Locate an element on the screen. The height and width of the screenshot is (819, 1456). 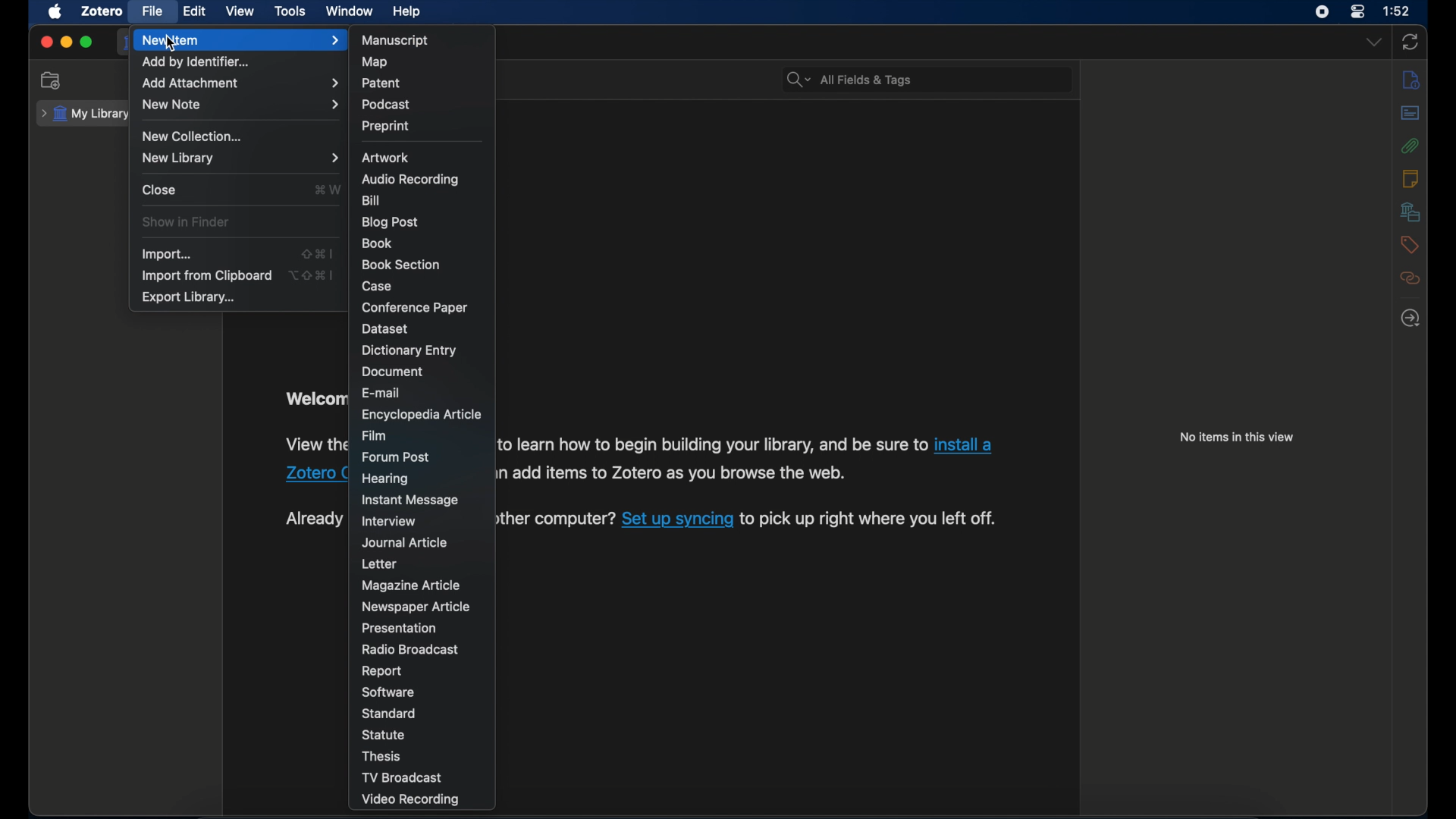
thesis is located at coordinates (383, 757).